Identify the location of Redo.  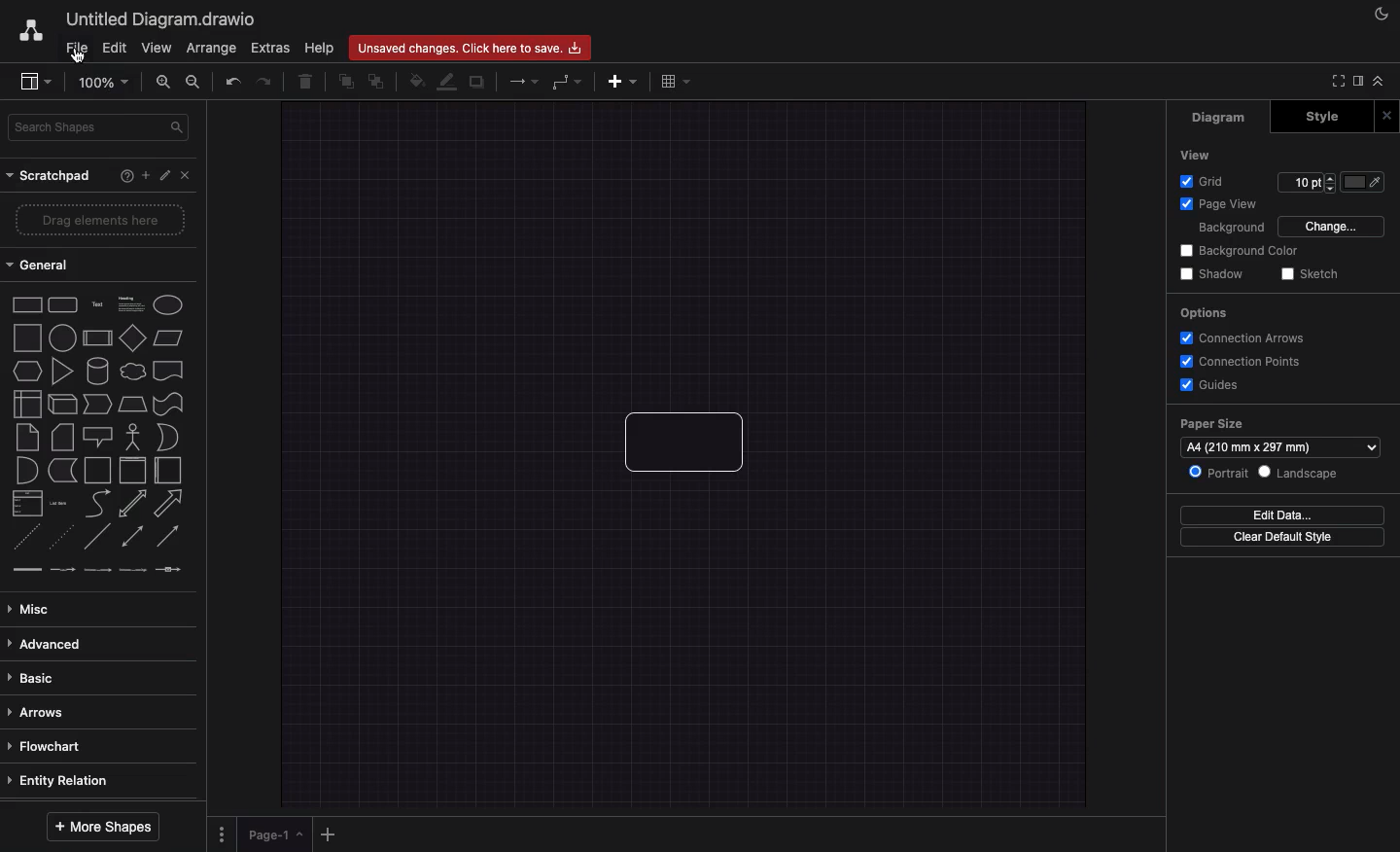
(264, 81).